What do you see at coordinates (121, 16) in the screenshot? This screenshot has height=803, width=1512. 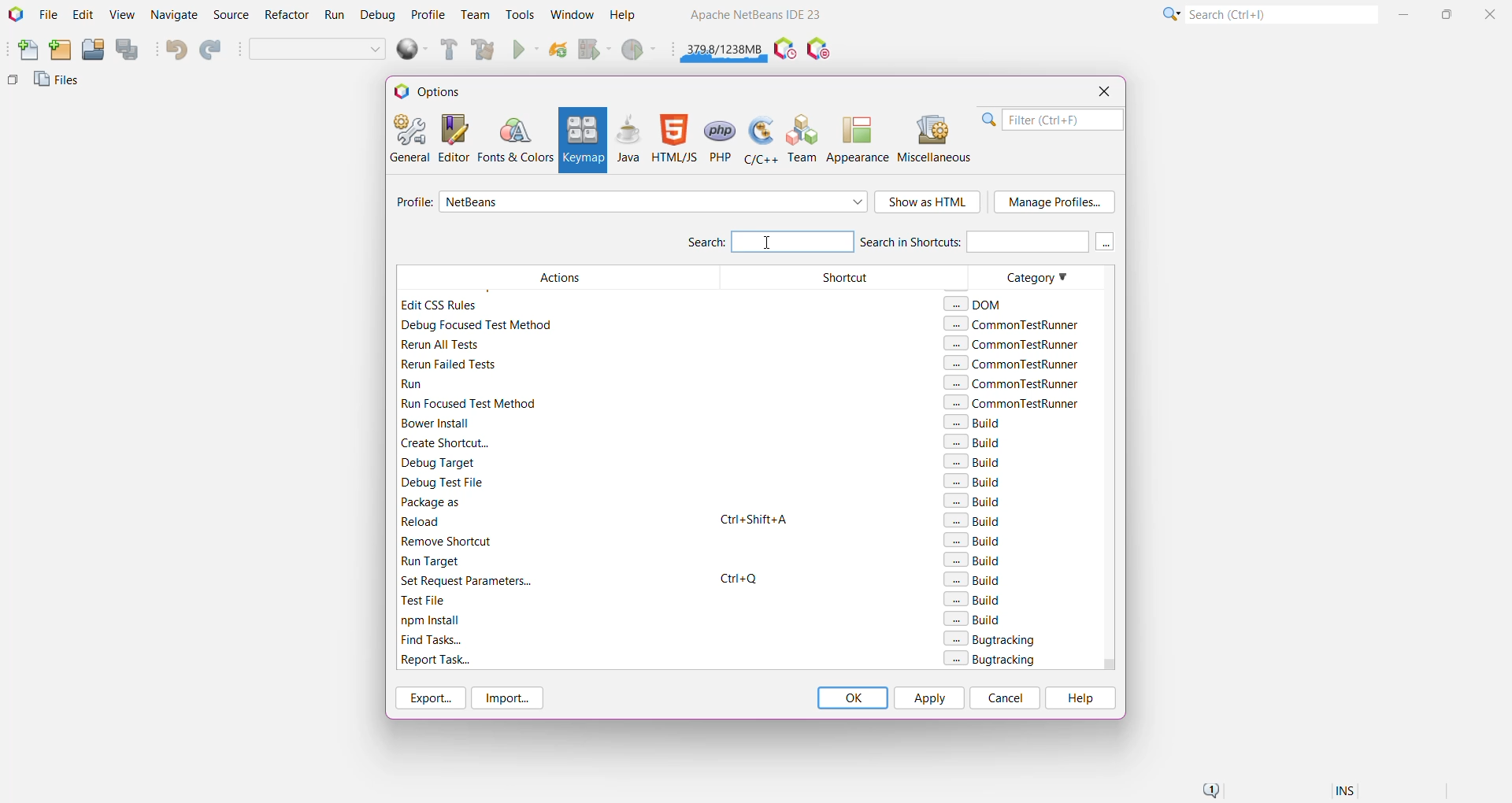 I see `View` at bounding box center [121, 16].